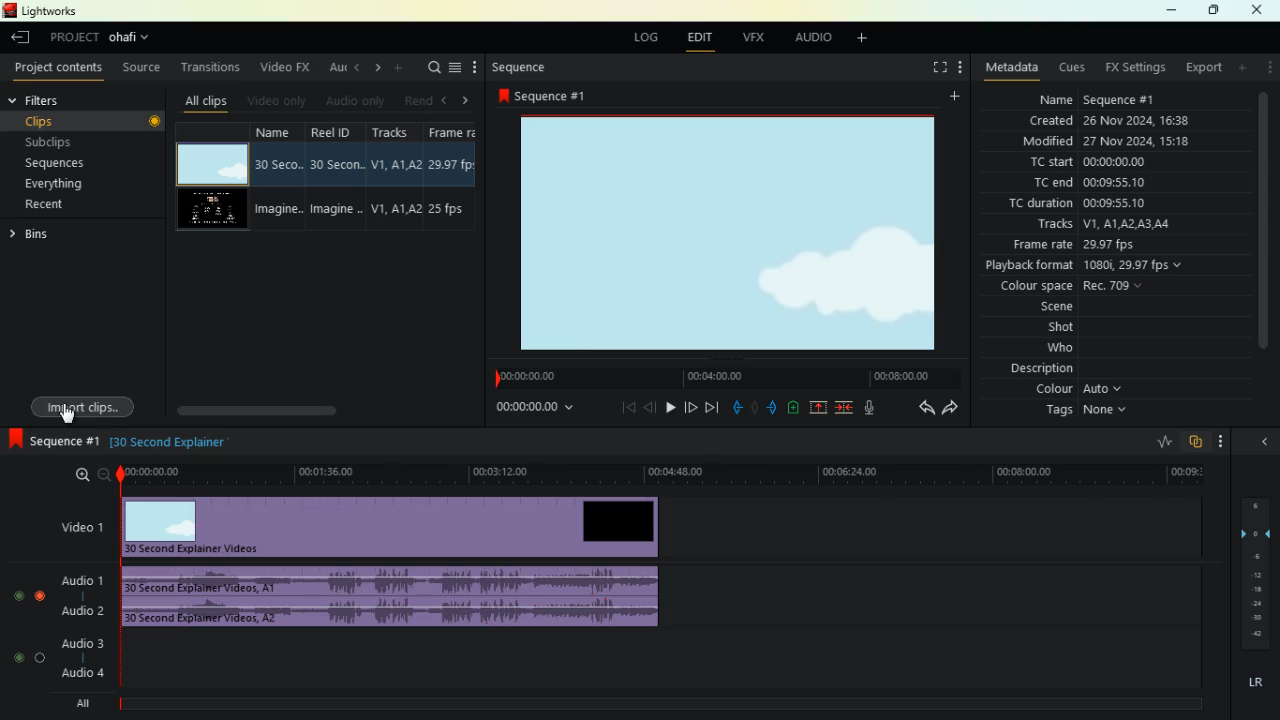  Describe the element at coordinates (1261, 9) in the screenshot. I see `close` at that location.